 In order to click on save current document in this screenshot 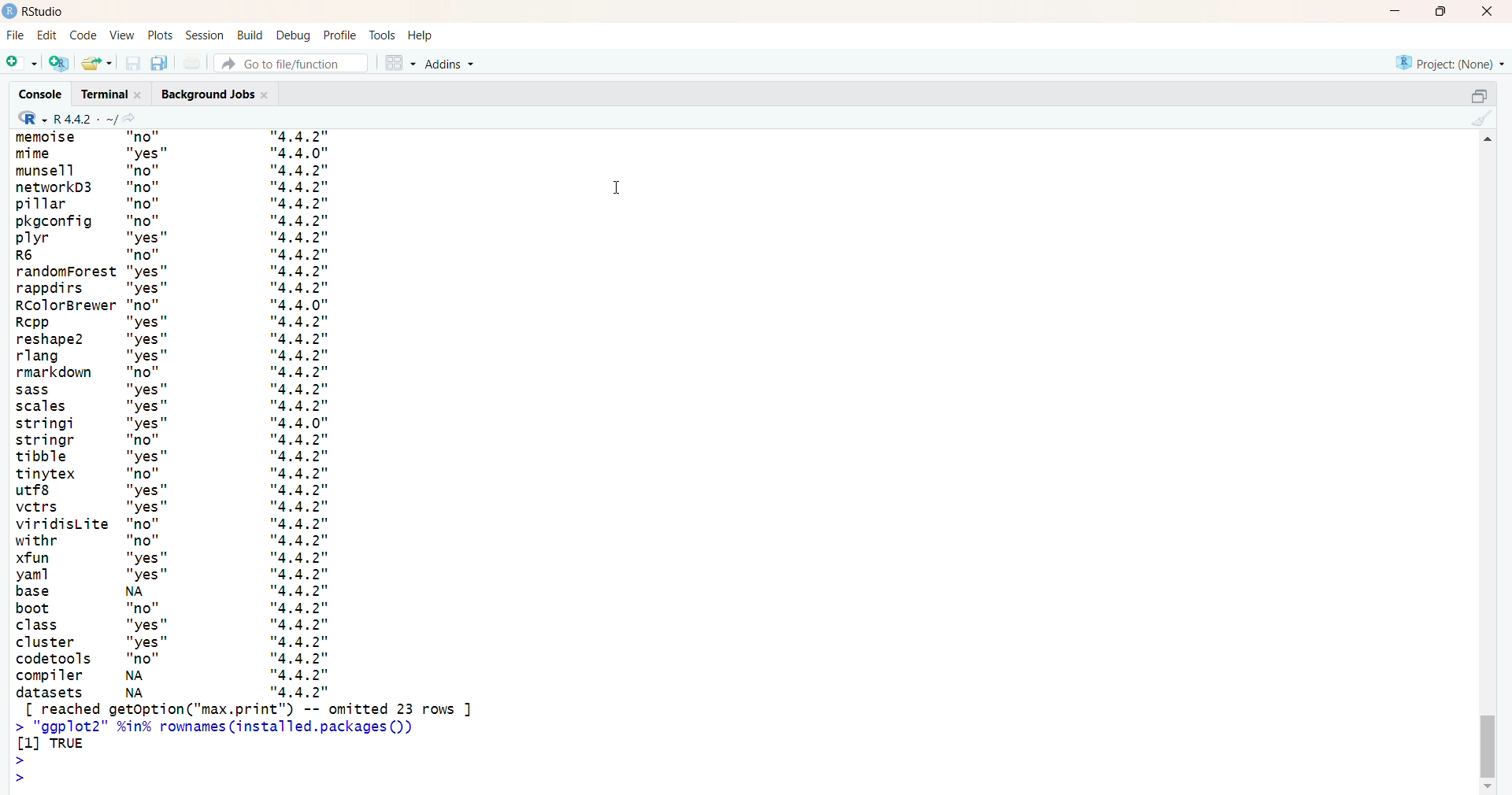, I will do `click(133, 65)`.